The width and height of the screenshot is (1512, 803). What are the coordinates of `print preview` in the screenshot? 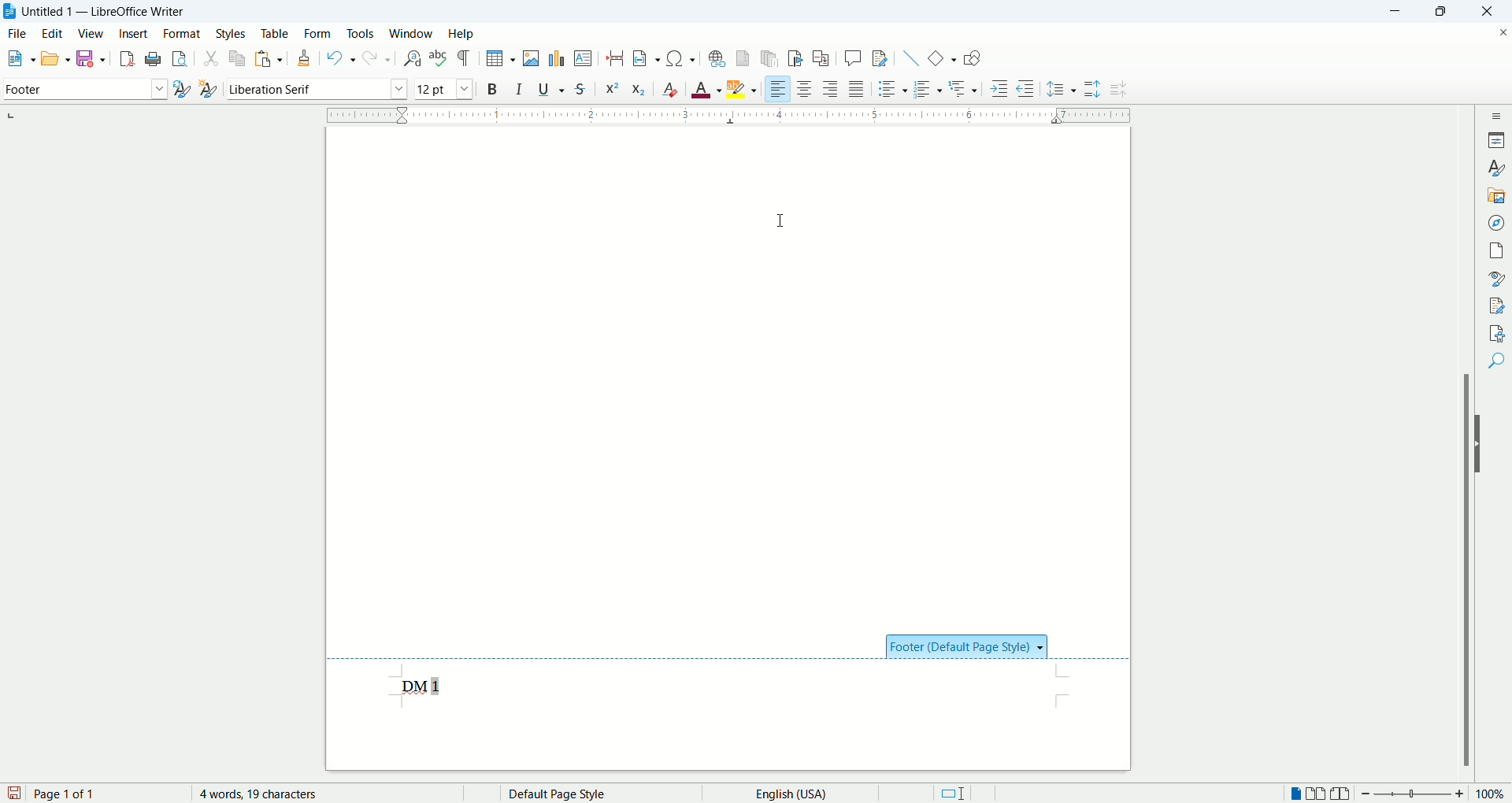 It's located at (180, 60).